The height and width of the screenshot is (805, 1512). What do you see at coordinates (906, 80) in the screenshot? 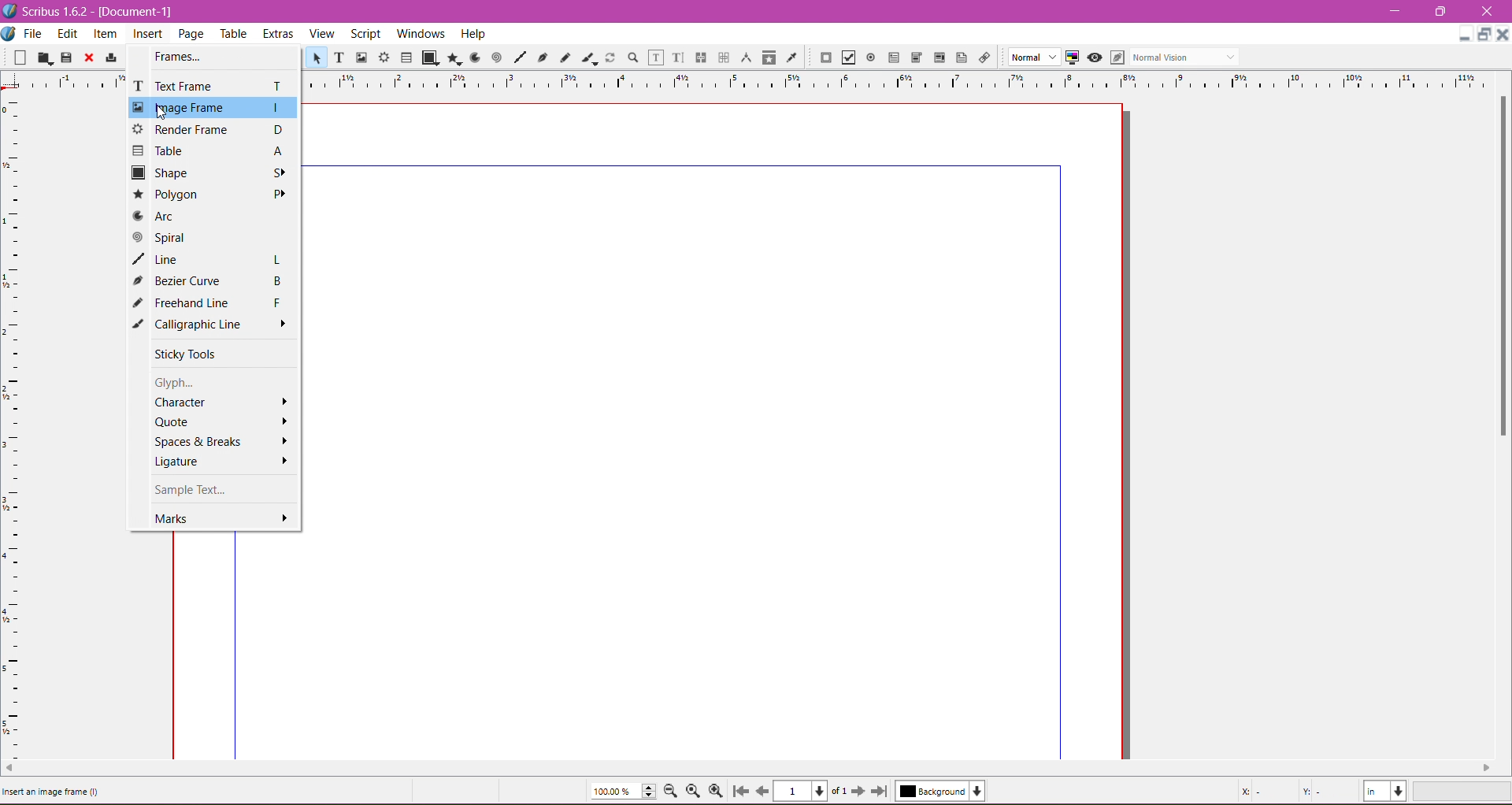
I see `Horizontal ruler` at bounding box center [906, 80].